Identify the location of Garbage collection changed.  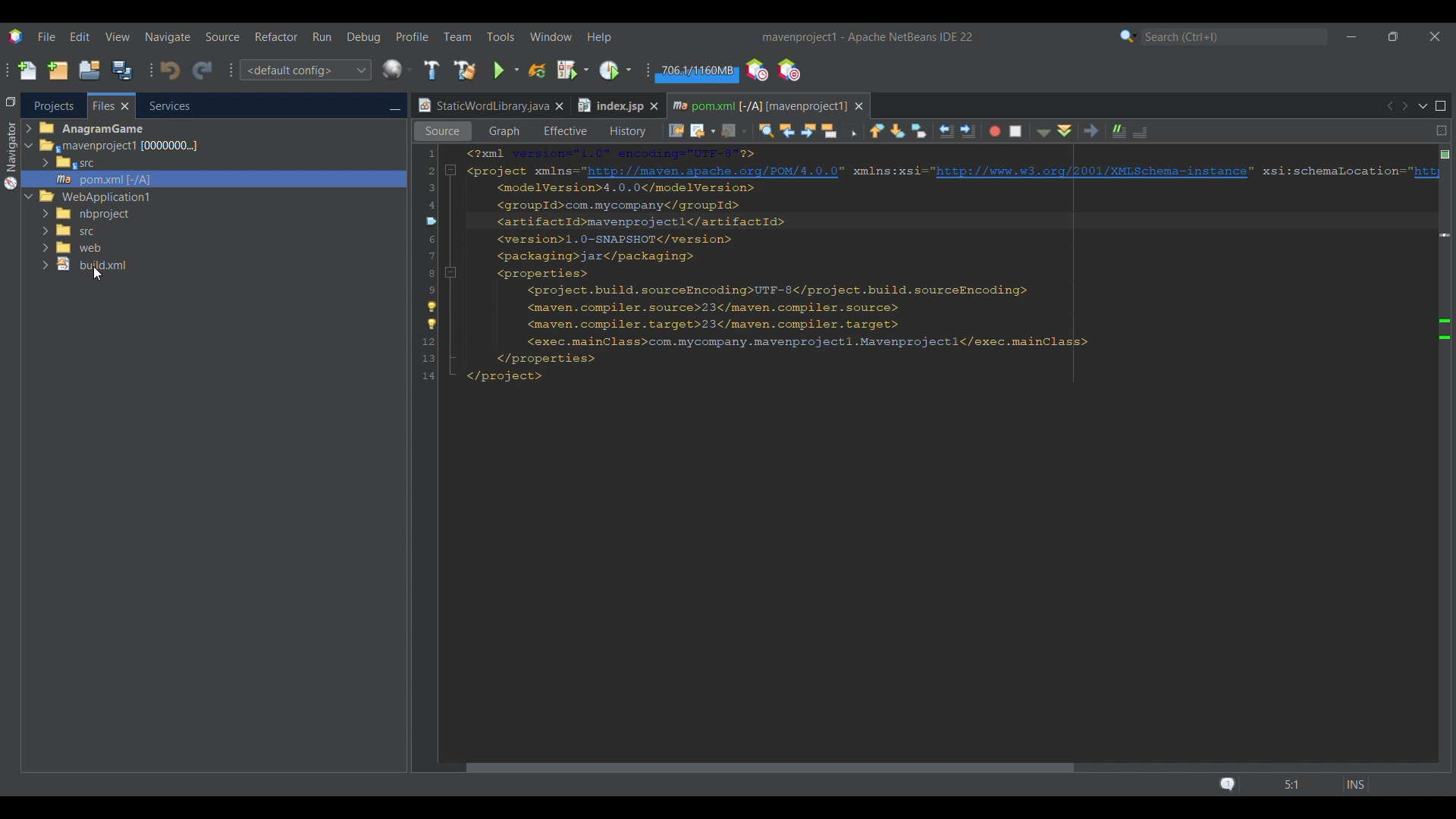
(698, 73).